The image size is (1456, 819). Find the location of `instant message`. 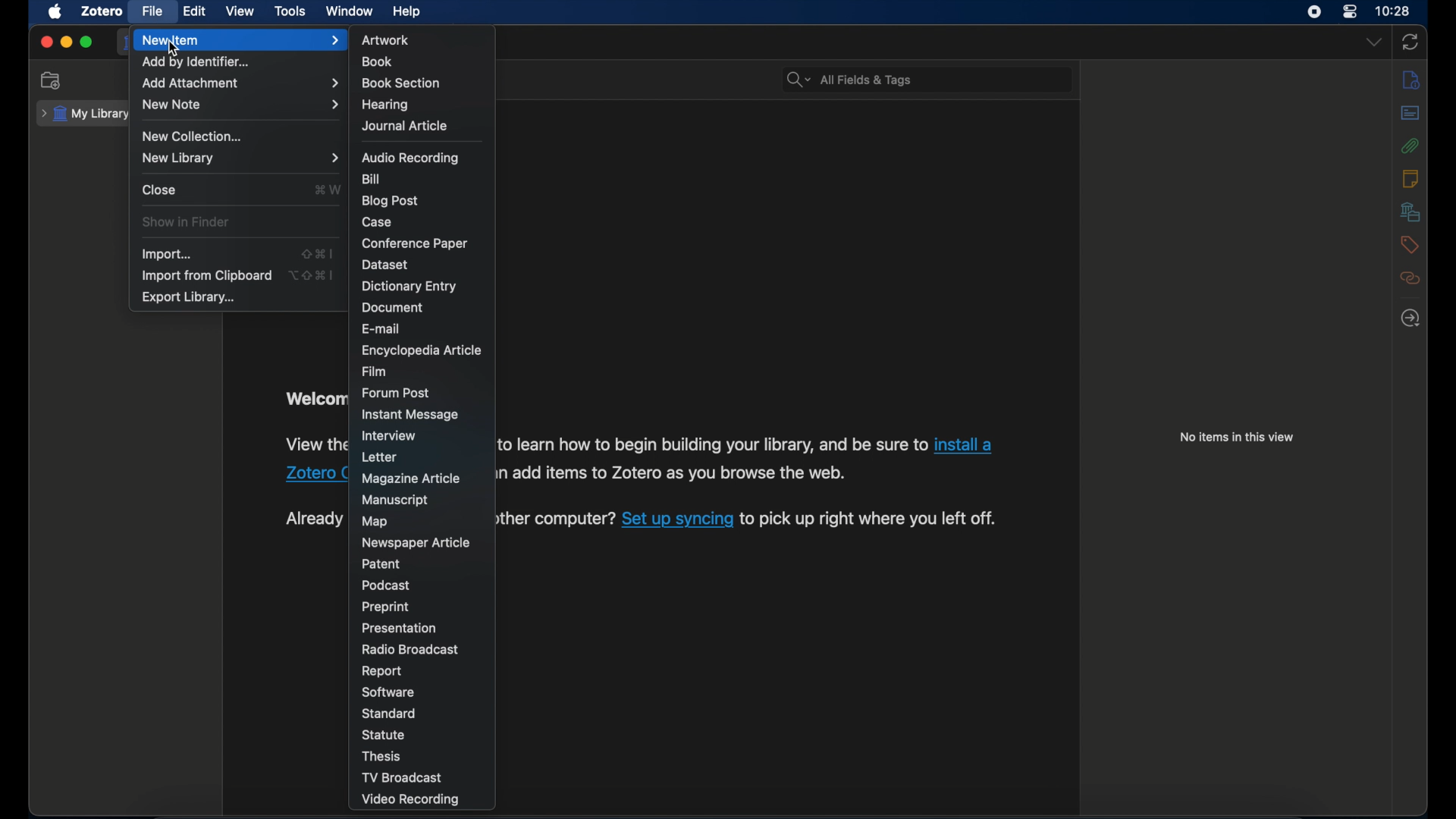

instant message is located at coordinates (411, 416).